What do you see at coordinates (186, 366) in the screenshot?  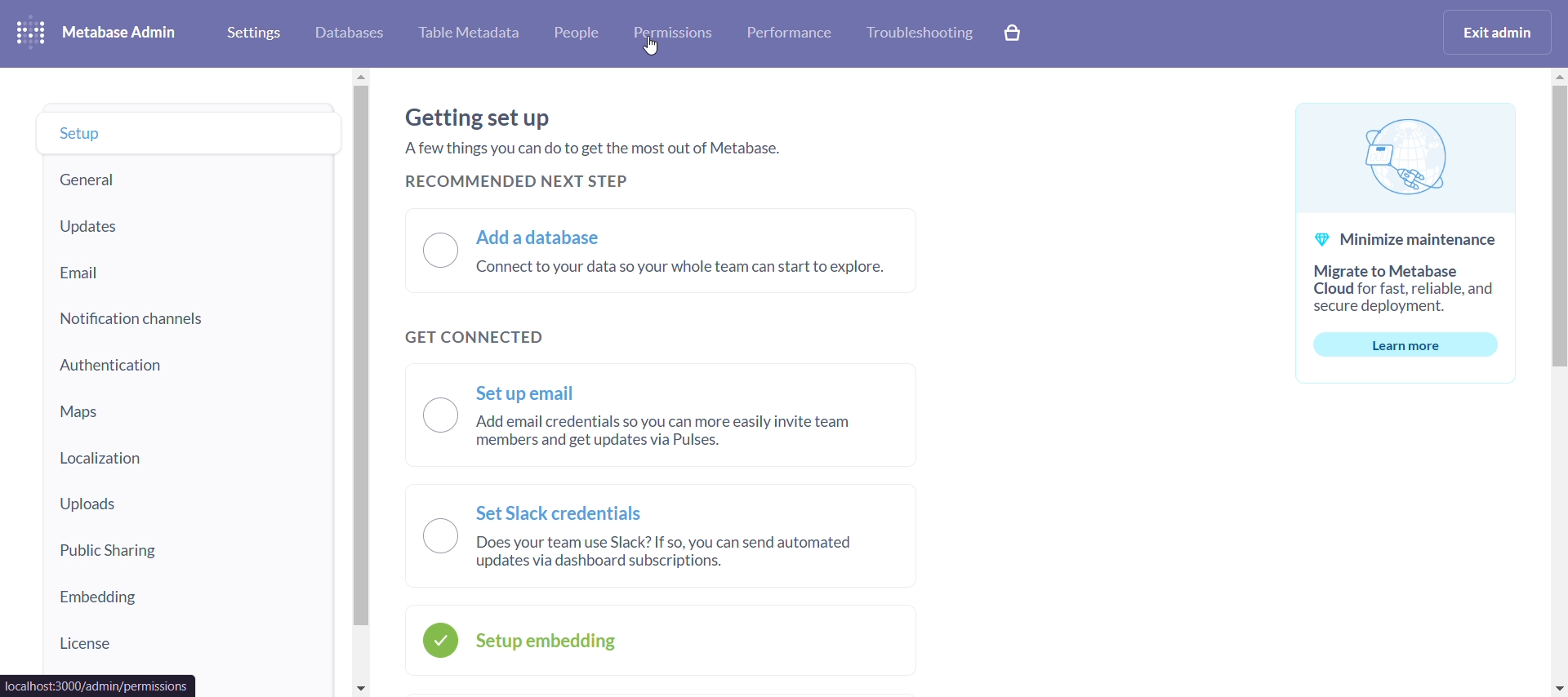 I see `authentication` at bounding box center [186, 366].